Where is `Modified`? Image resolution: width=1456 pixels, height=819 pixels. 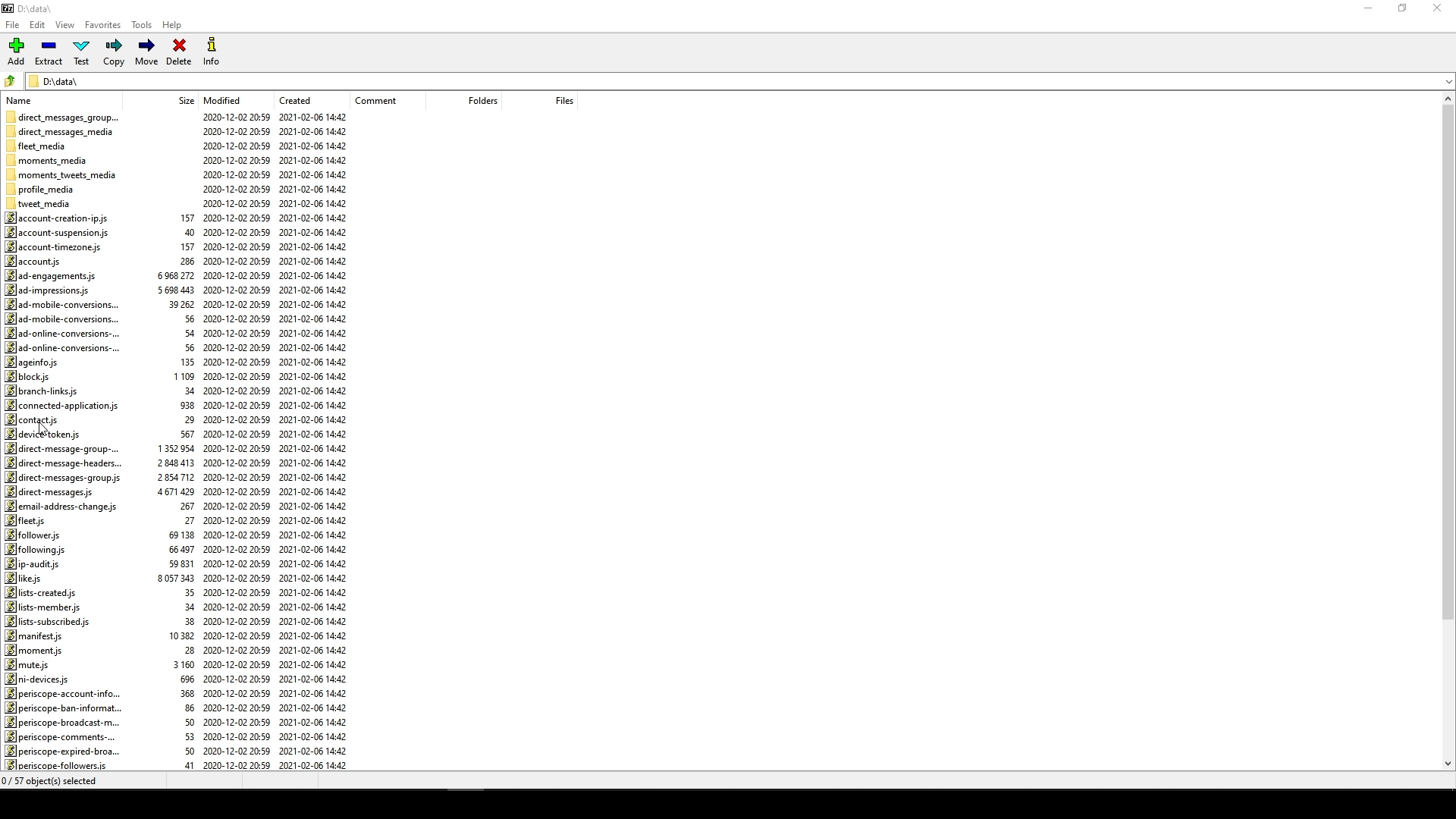 Modified is located at coordinates (226, 99).